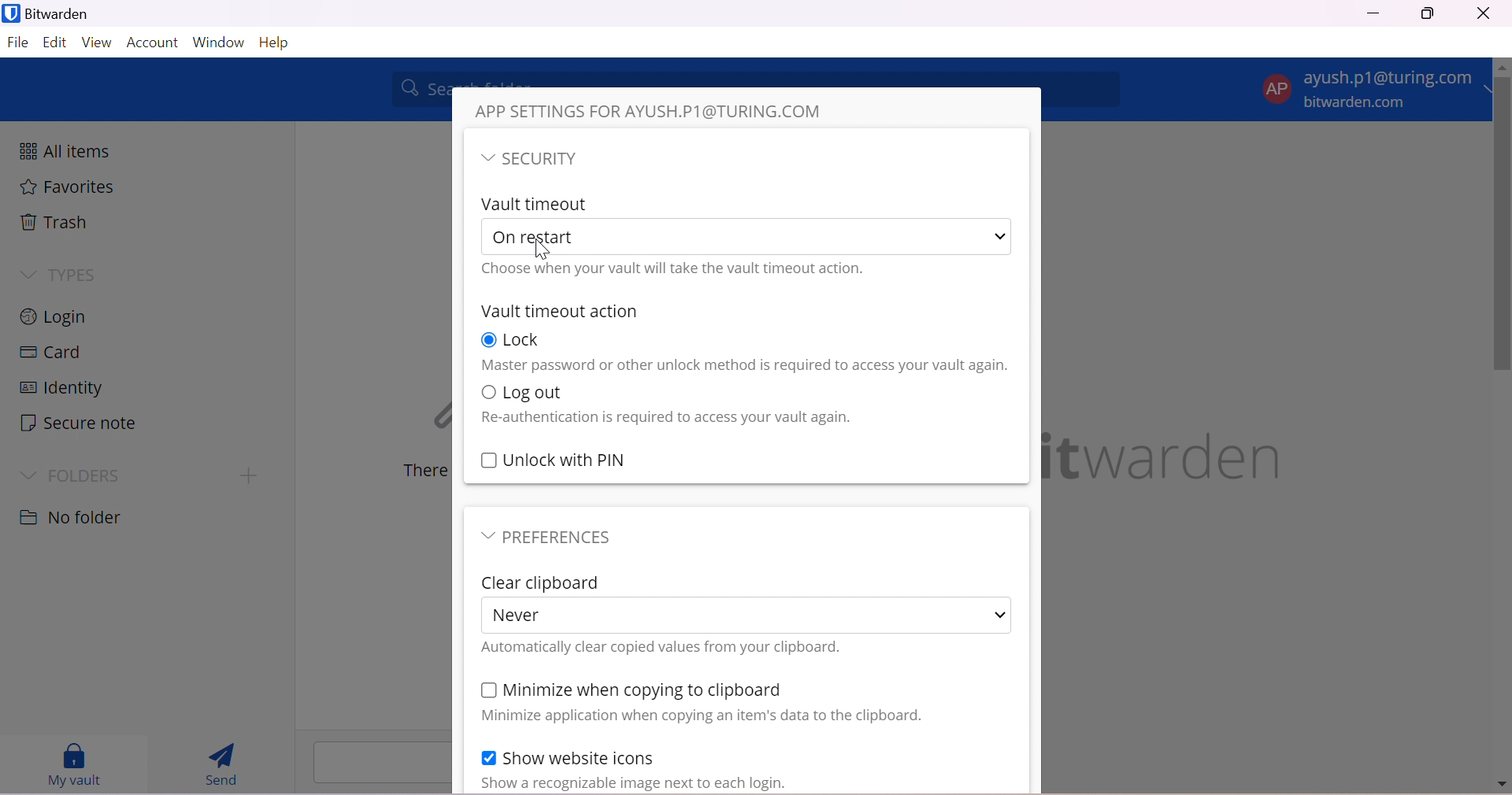 The height and width of the screenshot is (795, 1512). Describe the element at coordinates (1002, 235) in the screenshot. I see `Drop Down` at that location.